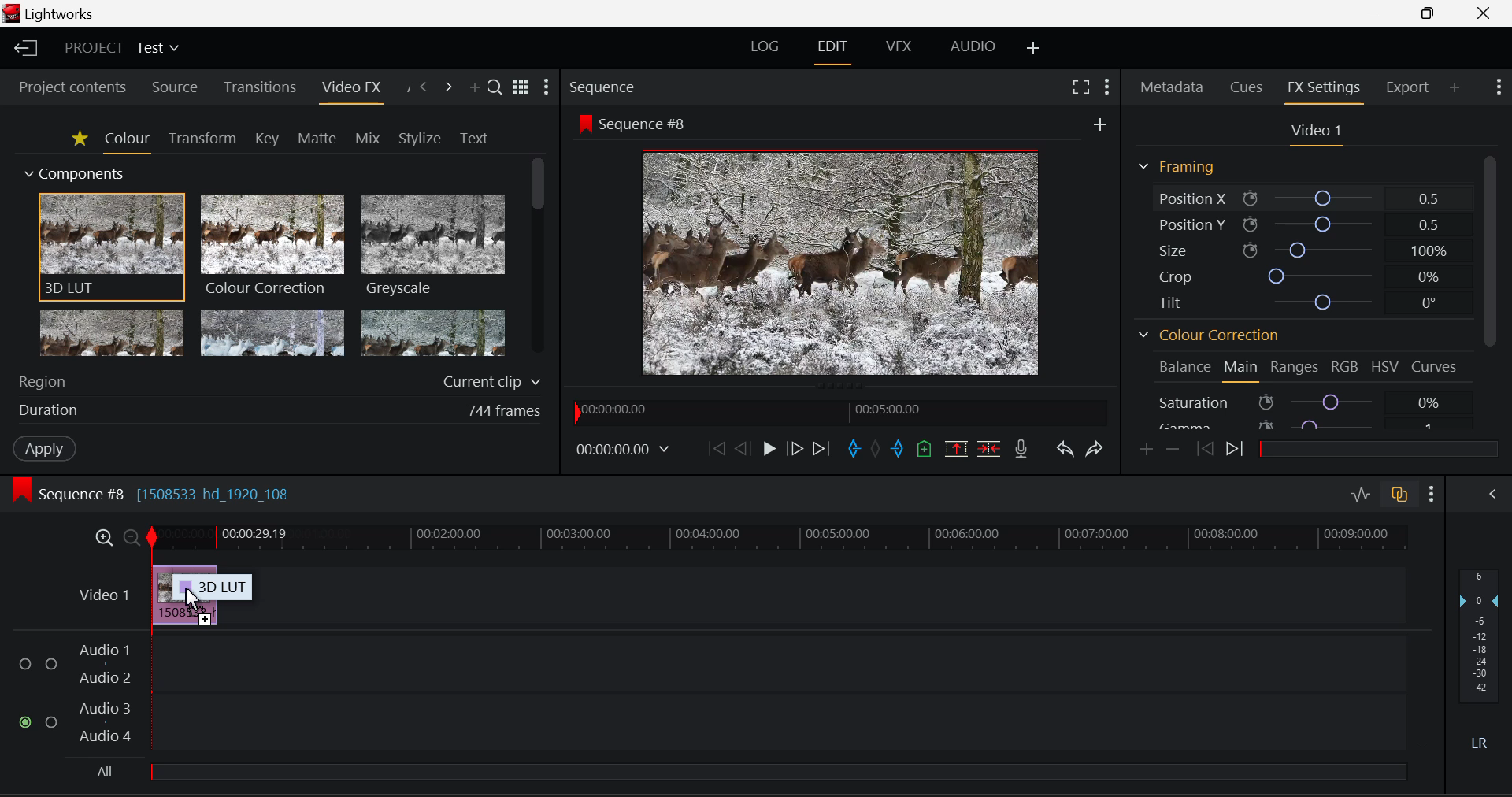 The width and height of the screenshot is (1512, 797). What do you see at coordinates (954, 448) in the screenshot?
I see `Remove Marked Section` at bounding box center [954, 448].